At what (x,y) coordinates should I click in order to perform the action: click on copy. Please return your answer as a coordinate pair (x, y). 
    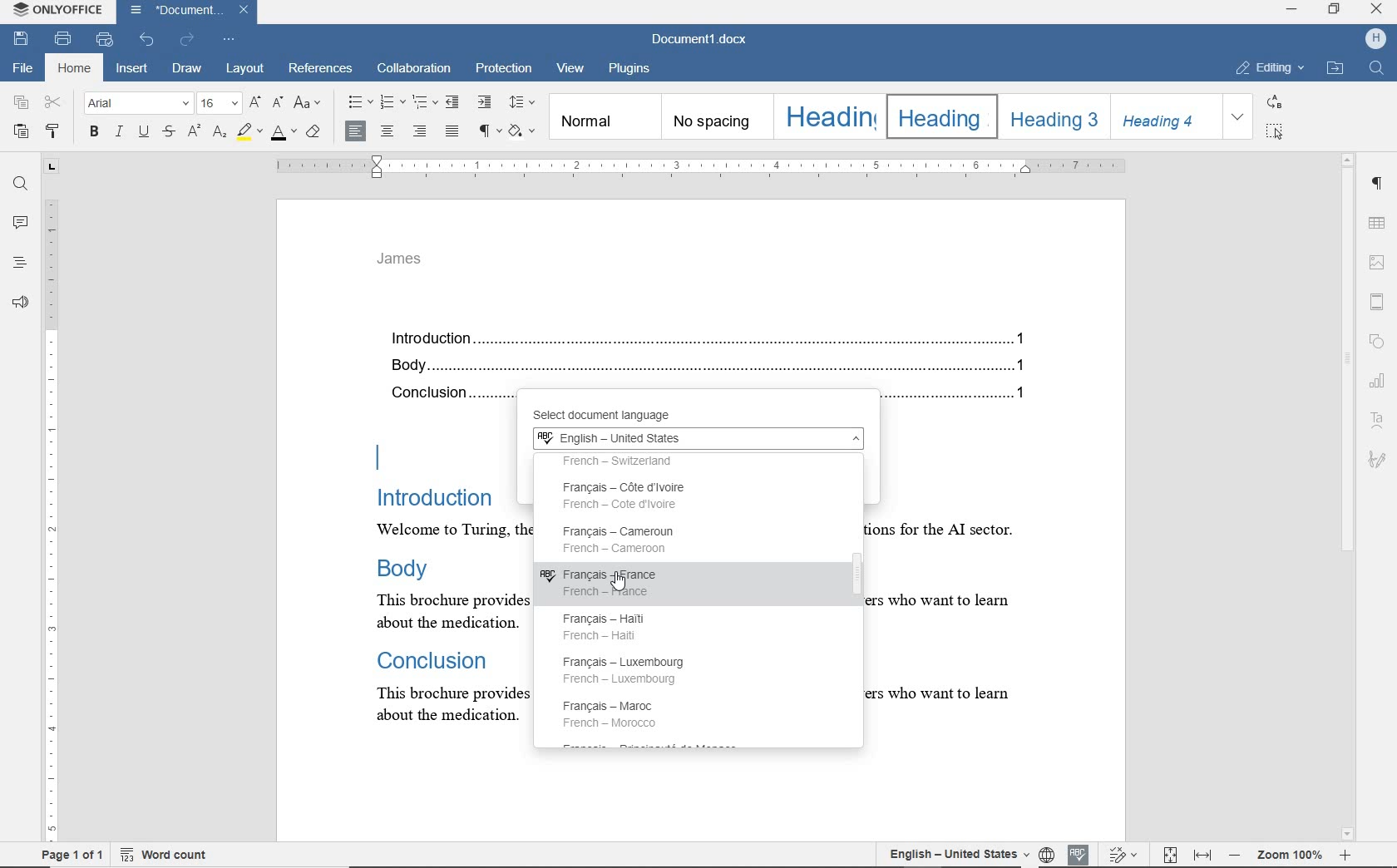
    Looking at the image, I should click on (22, 103).